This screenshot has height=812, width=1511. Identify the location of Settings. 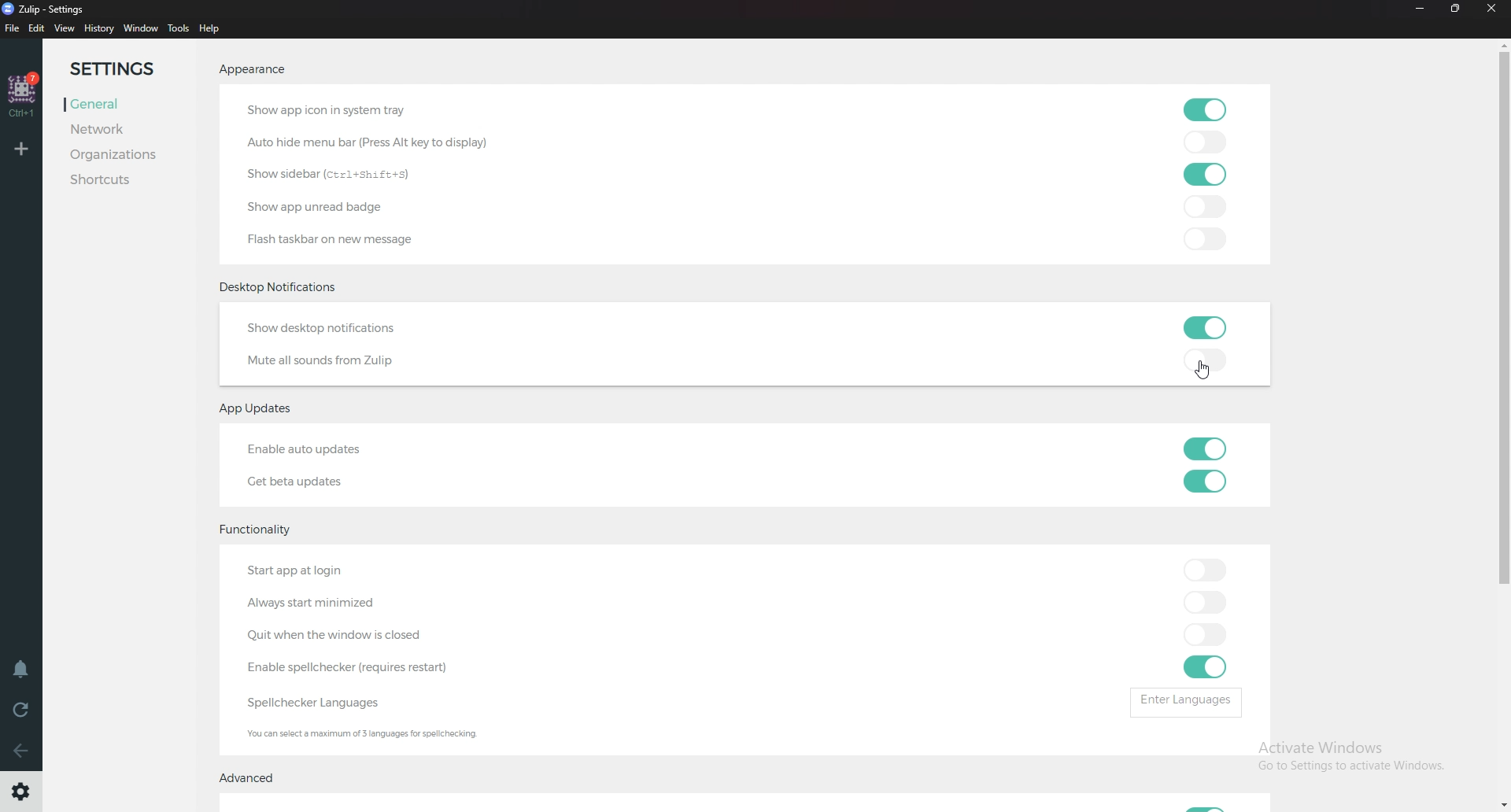
(112, 69).